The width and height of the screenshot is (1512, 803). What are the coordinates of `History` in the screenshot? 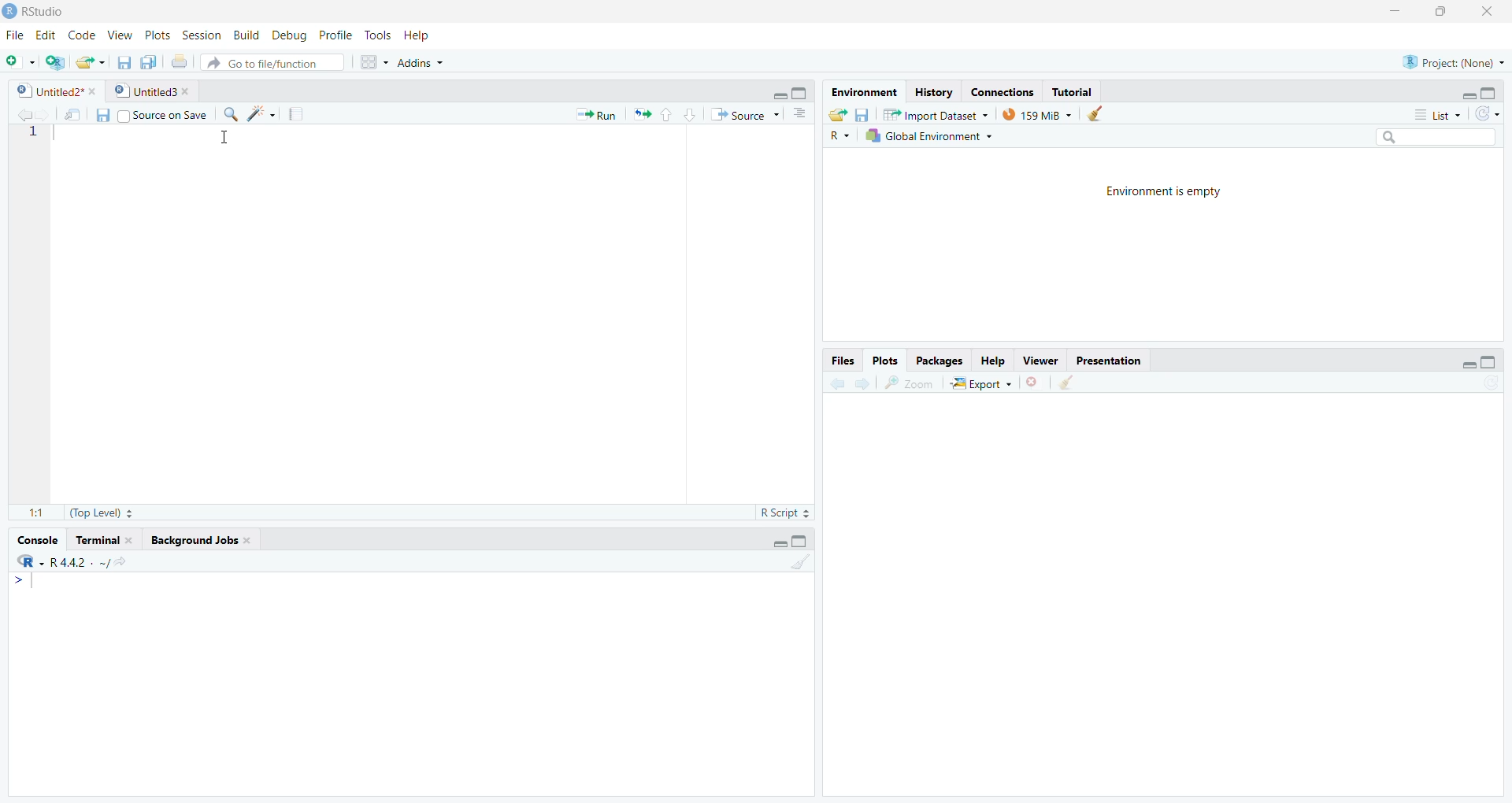 It's located at (934, 92).